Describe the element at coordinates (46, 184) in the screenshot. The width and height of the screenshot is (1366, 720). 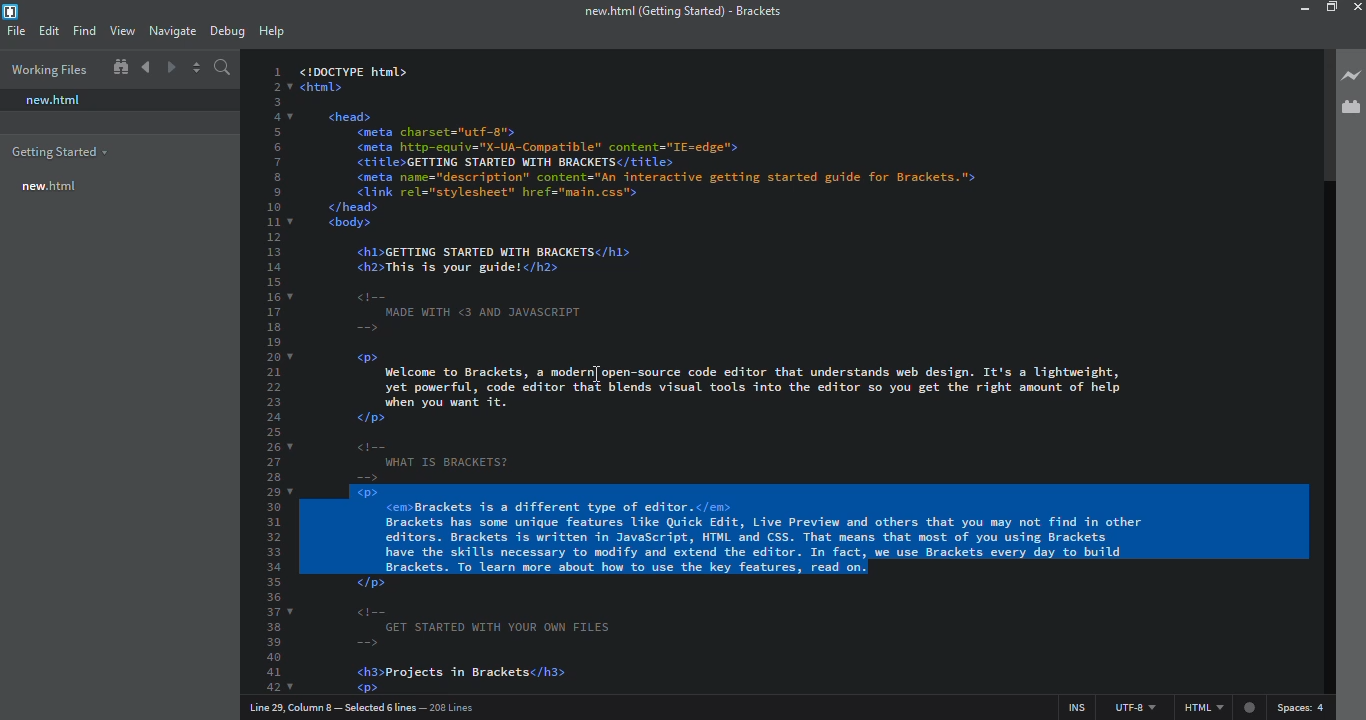
I see `new` at that location.